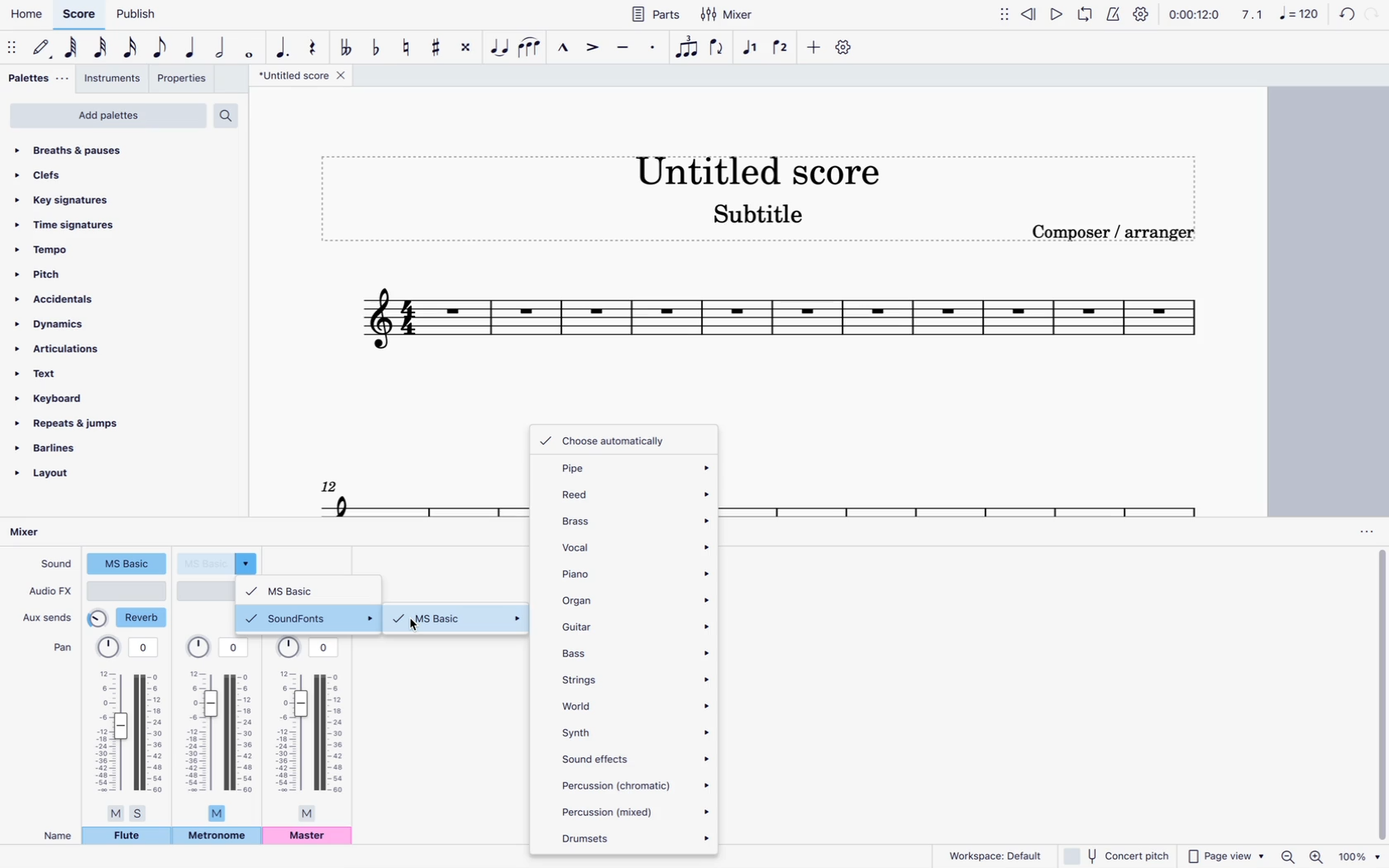  I want to click on layout, so click(71, 477).